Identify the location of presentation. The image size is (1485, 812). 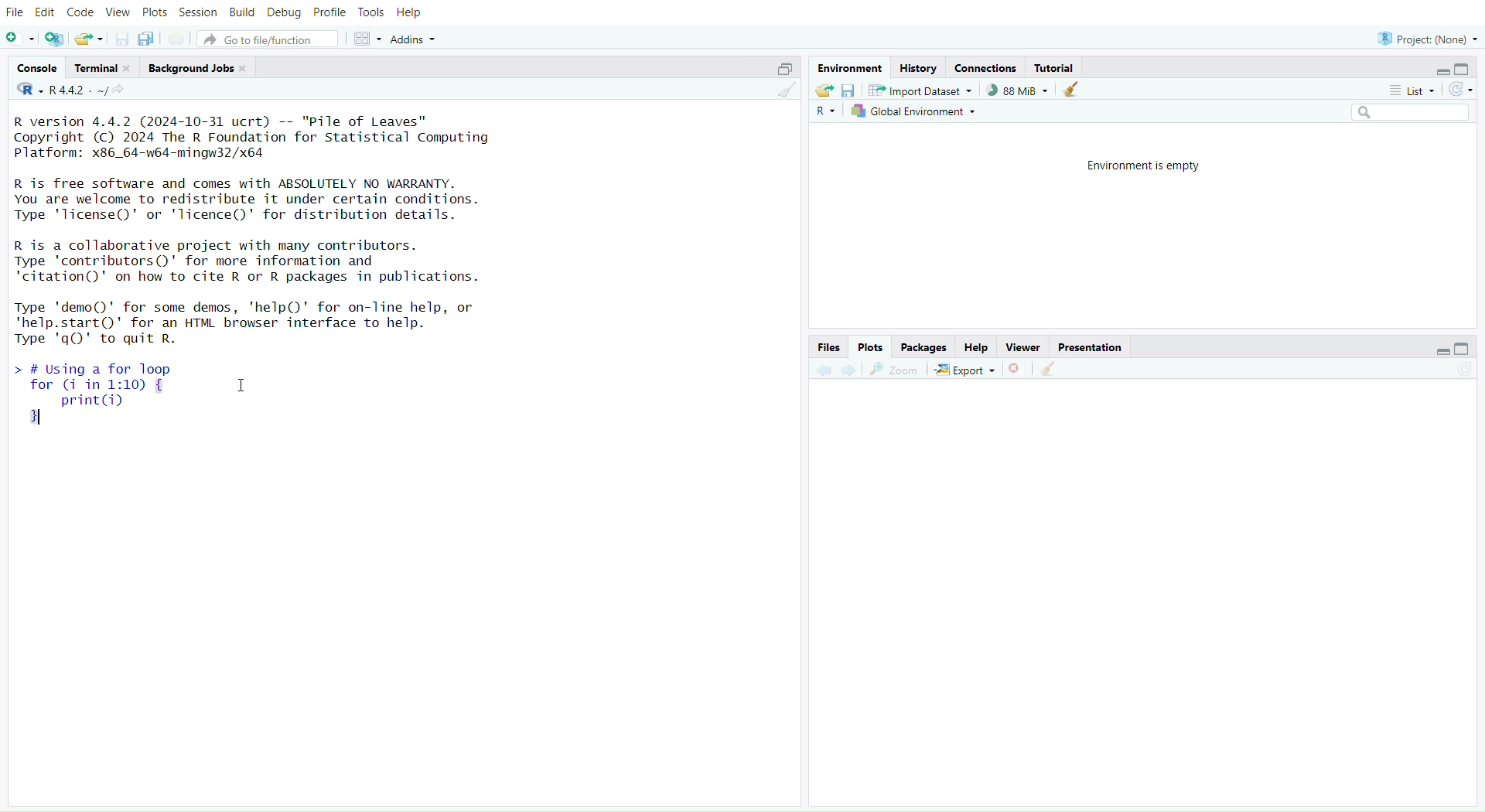
(1092, 349).